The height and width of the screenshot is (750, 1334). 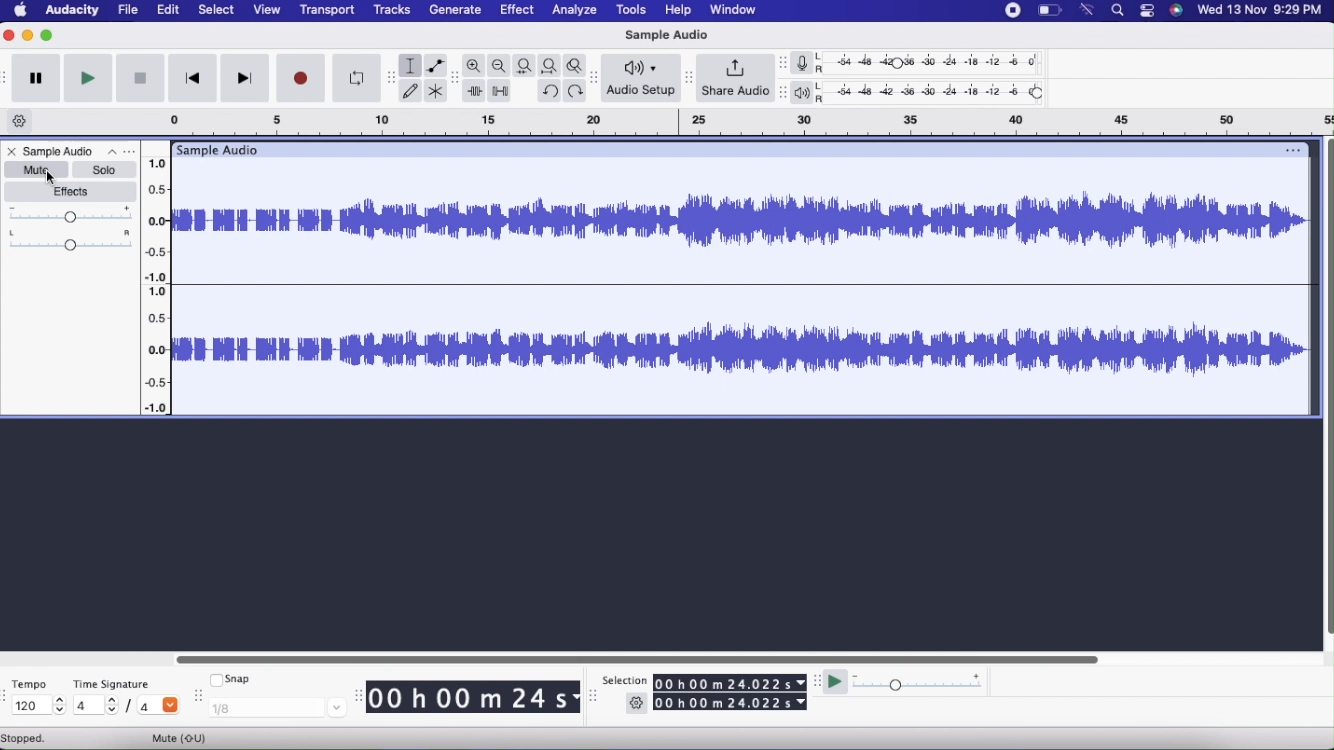 I want to click on Trim audio outside selection, so click(x=476, y=90).